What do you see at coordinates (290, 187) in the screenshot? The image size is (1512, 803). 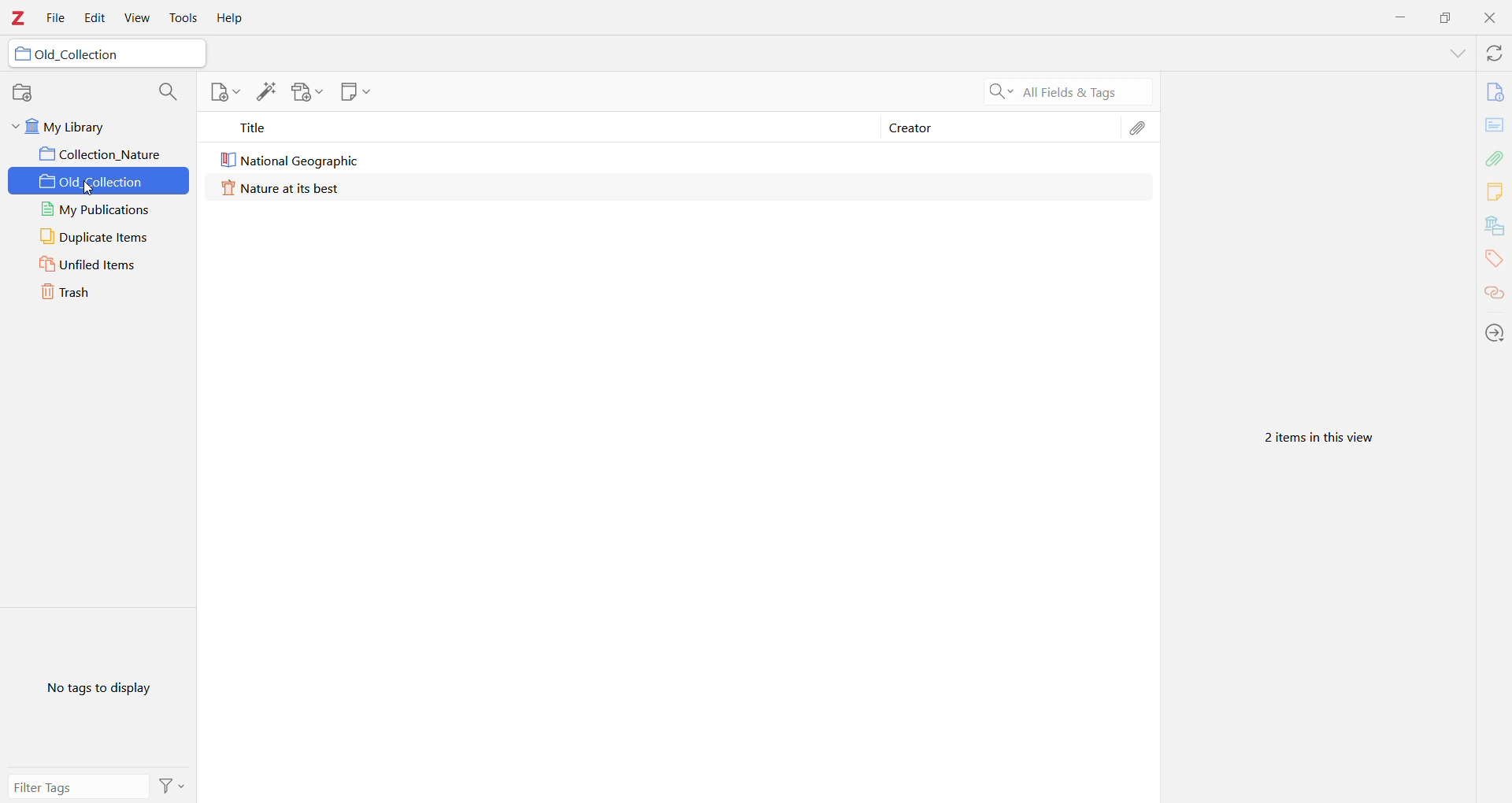 I see `Nature at its best` at bounding box center [290, 187].